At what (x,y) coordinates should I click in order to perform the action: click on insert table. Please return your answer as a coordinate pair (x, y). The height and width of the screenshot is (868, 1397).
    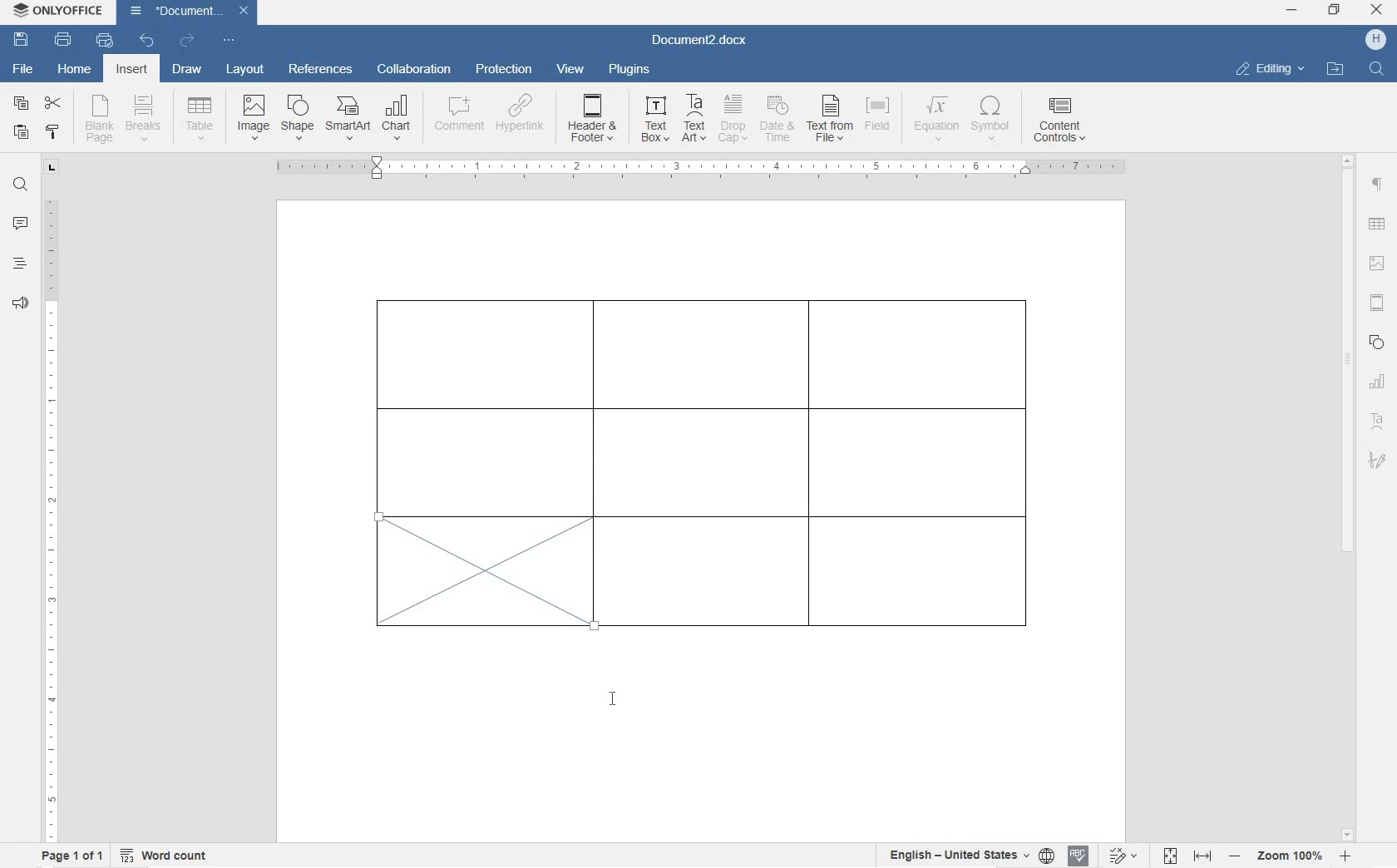
    Looking at the image, I should click on (196, 118).